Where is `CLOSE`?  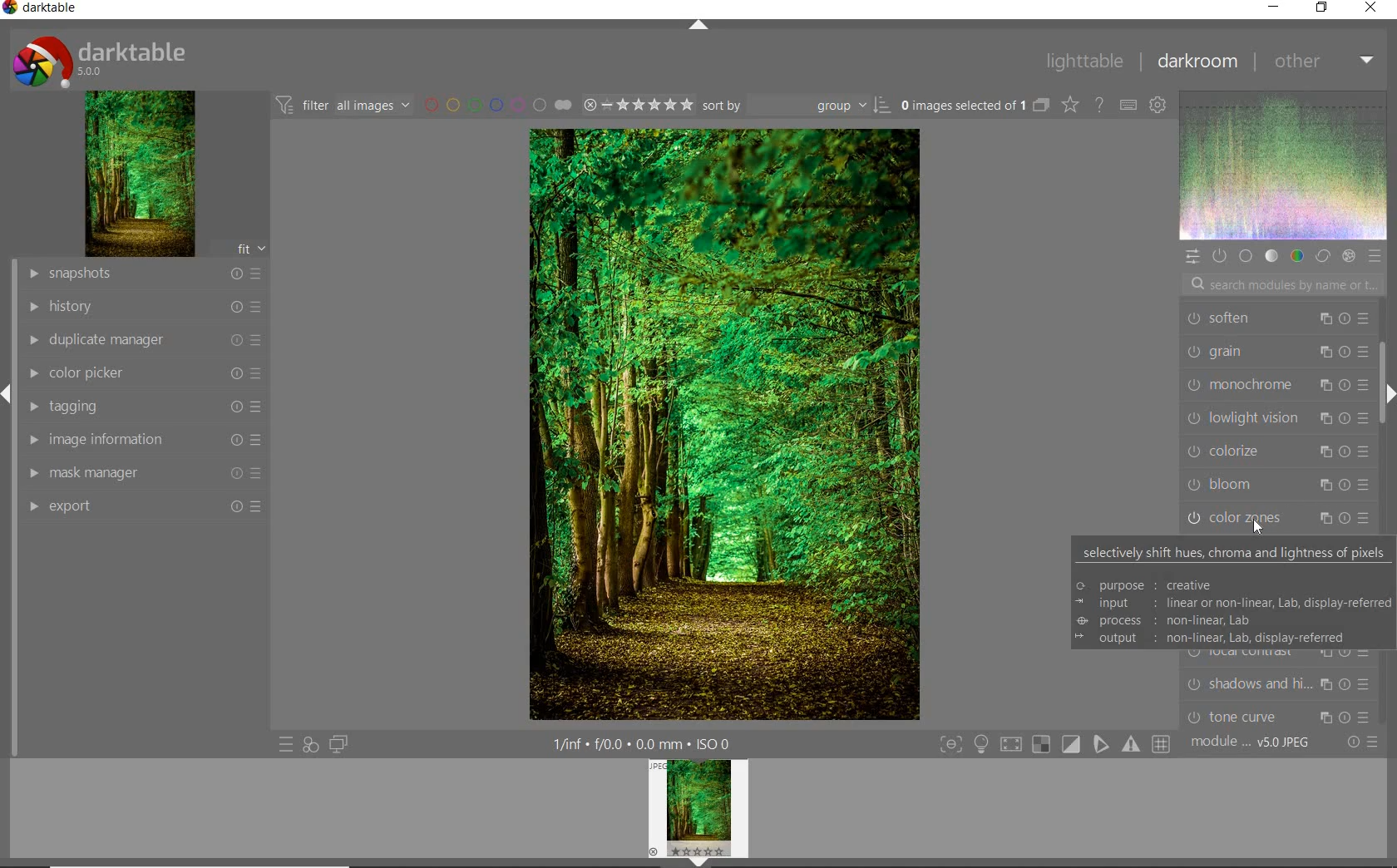 CLOSE is located at coordinates (1376, 8).